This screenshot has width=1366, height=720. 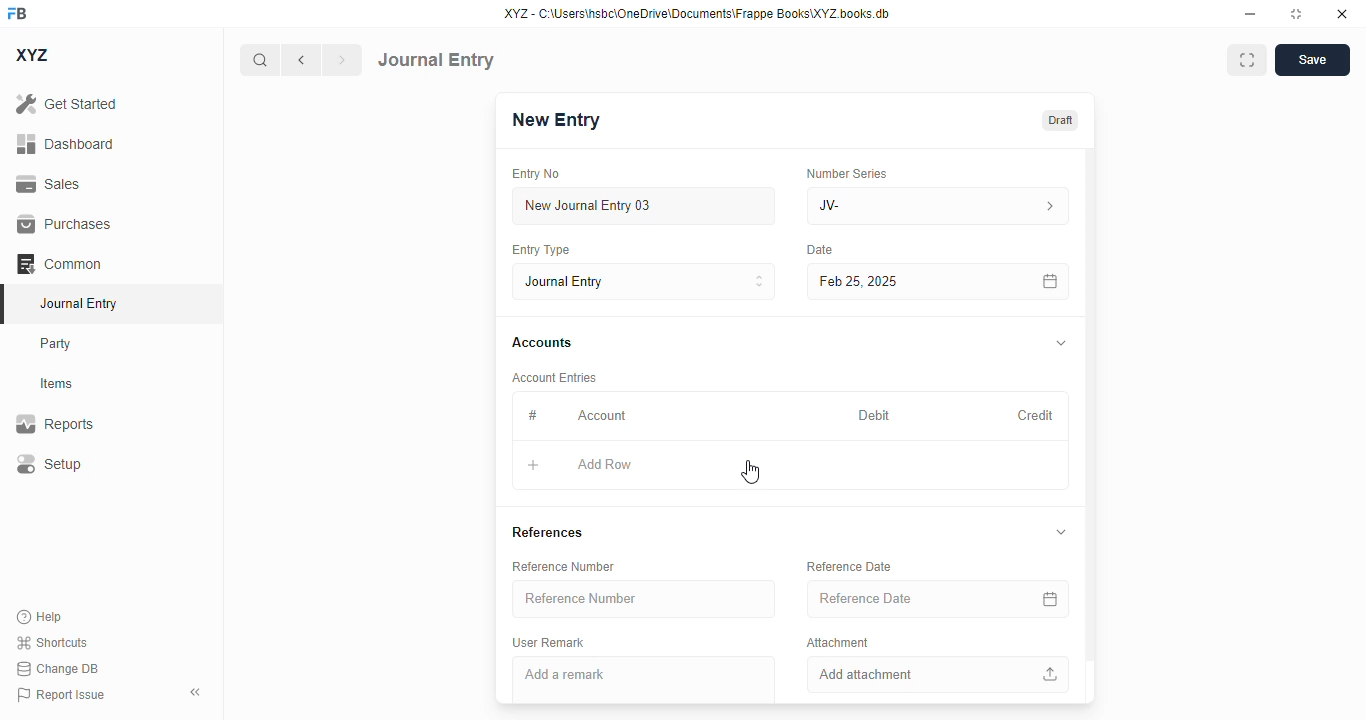 I want to click on feb 25, 2025, so click(x=910, y=282).